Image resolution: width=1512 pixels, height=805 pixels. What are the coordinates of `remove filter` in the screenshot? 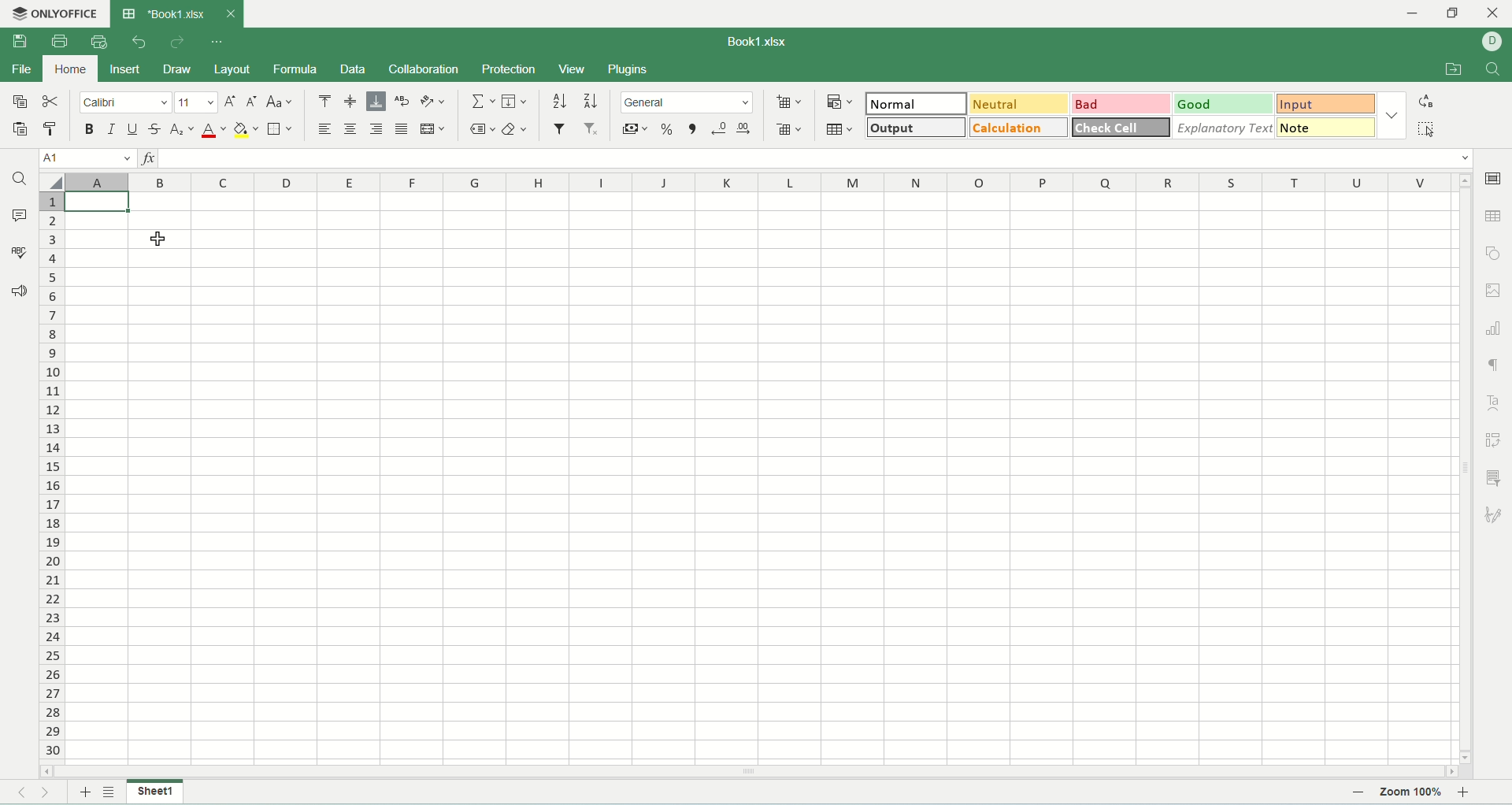 It's located at (593, 128).